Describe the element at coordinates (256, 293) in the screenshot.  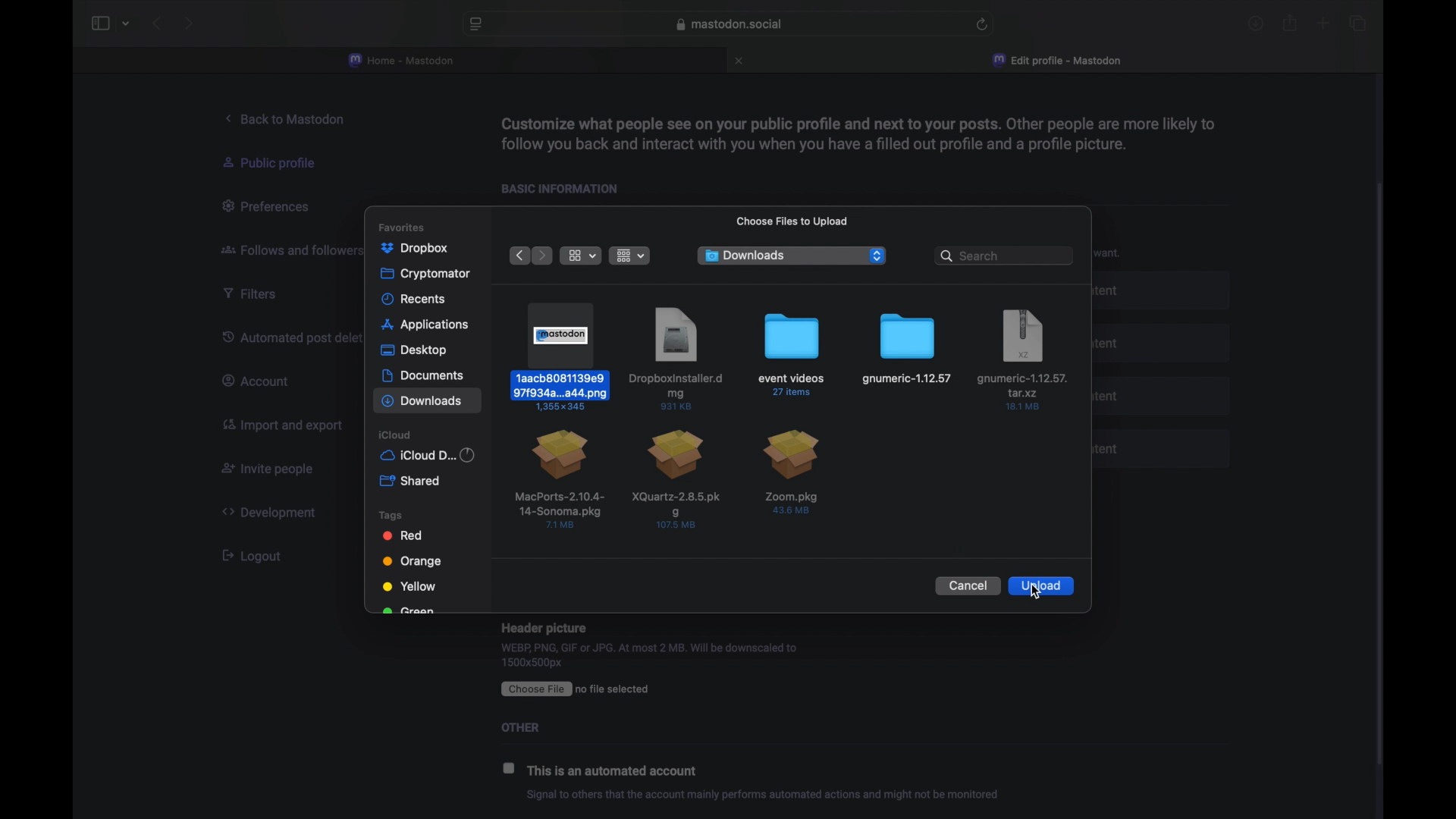
I see `filters` at that location.